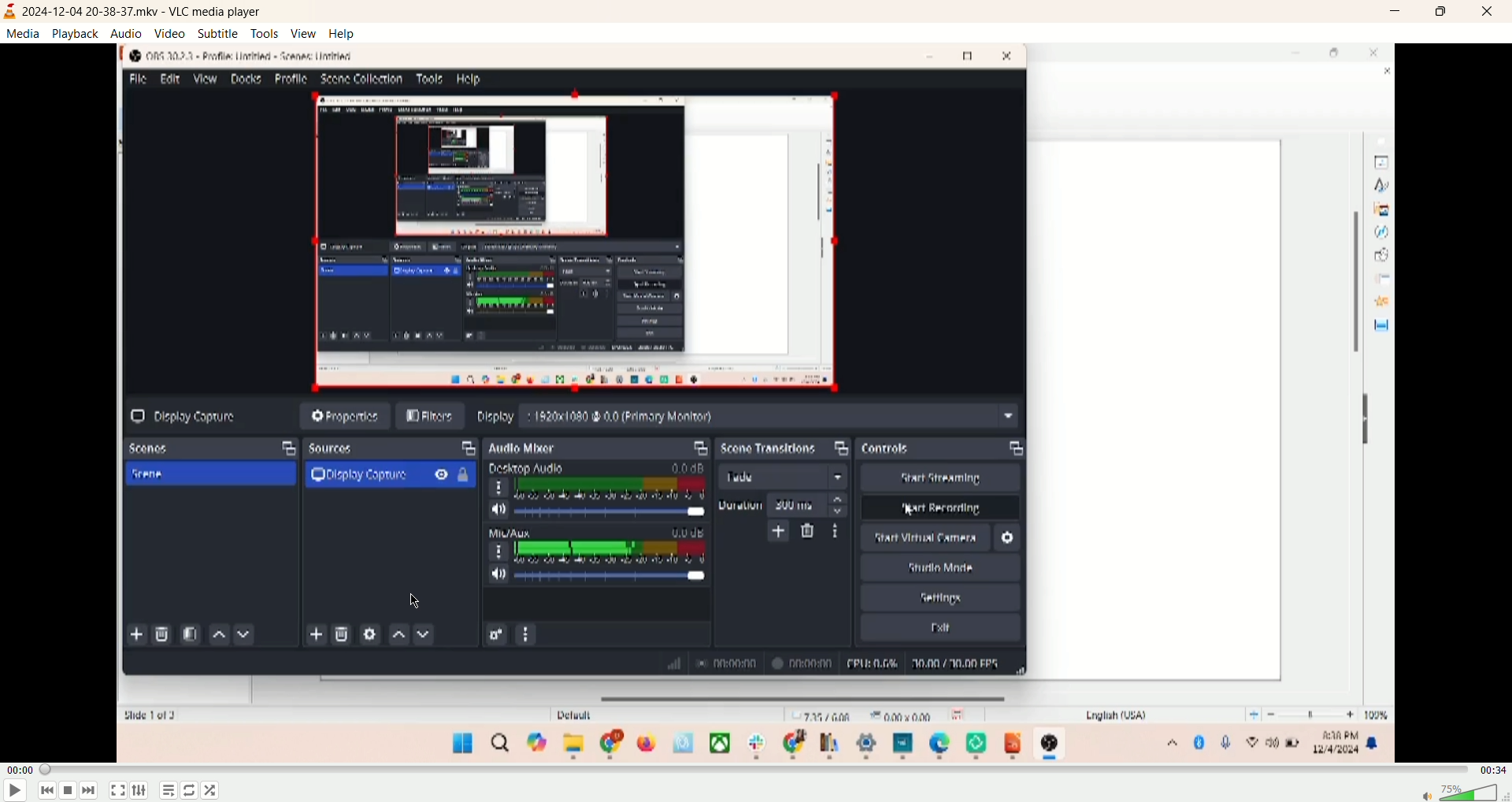 The image size is (1512, 802). I want to click on volume bar, so click(1473, 793).